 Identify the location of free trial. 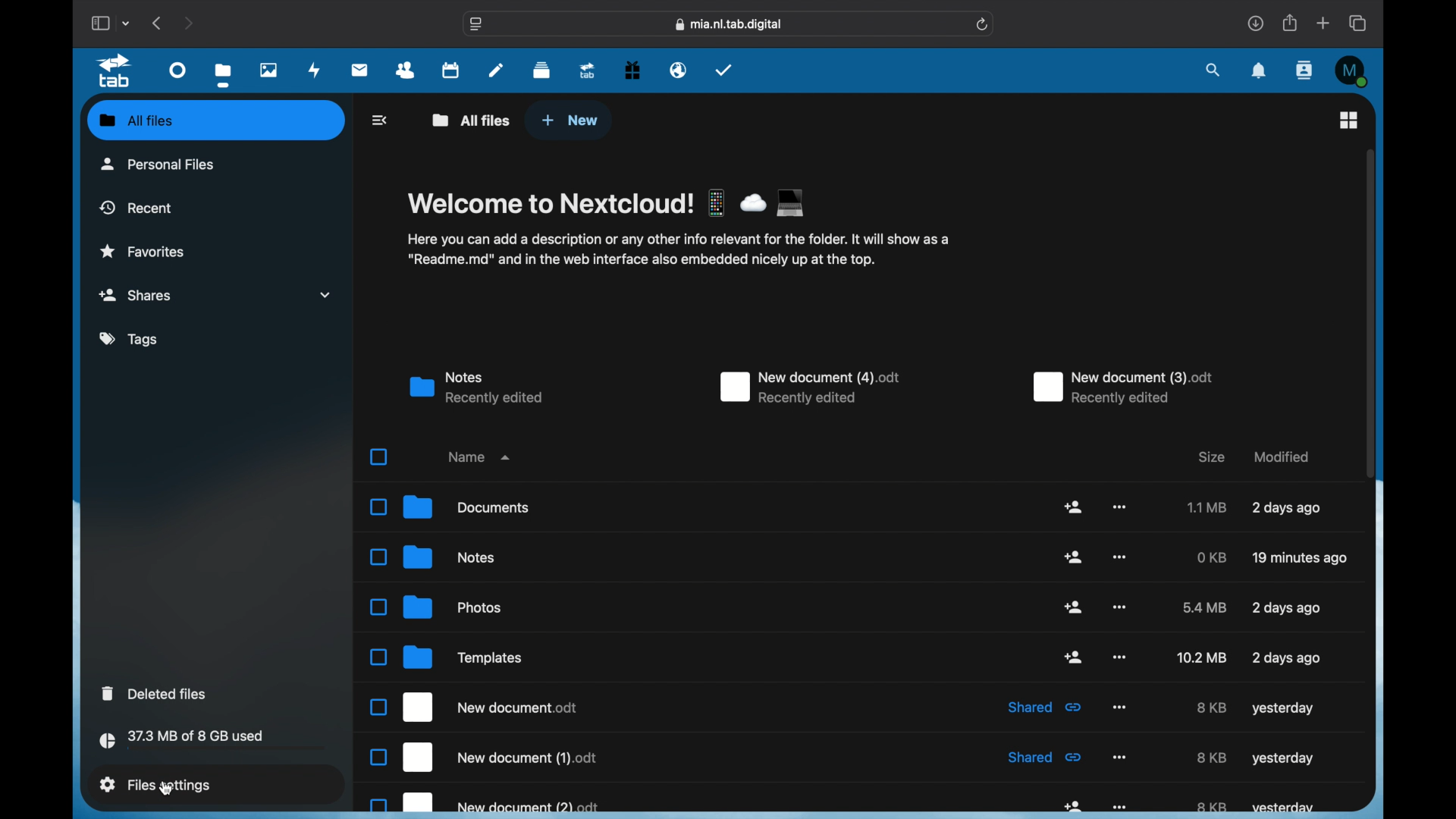
(632, 71).